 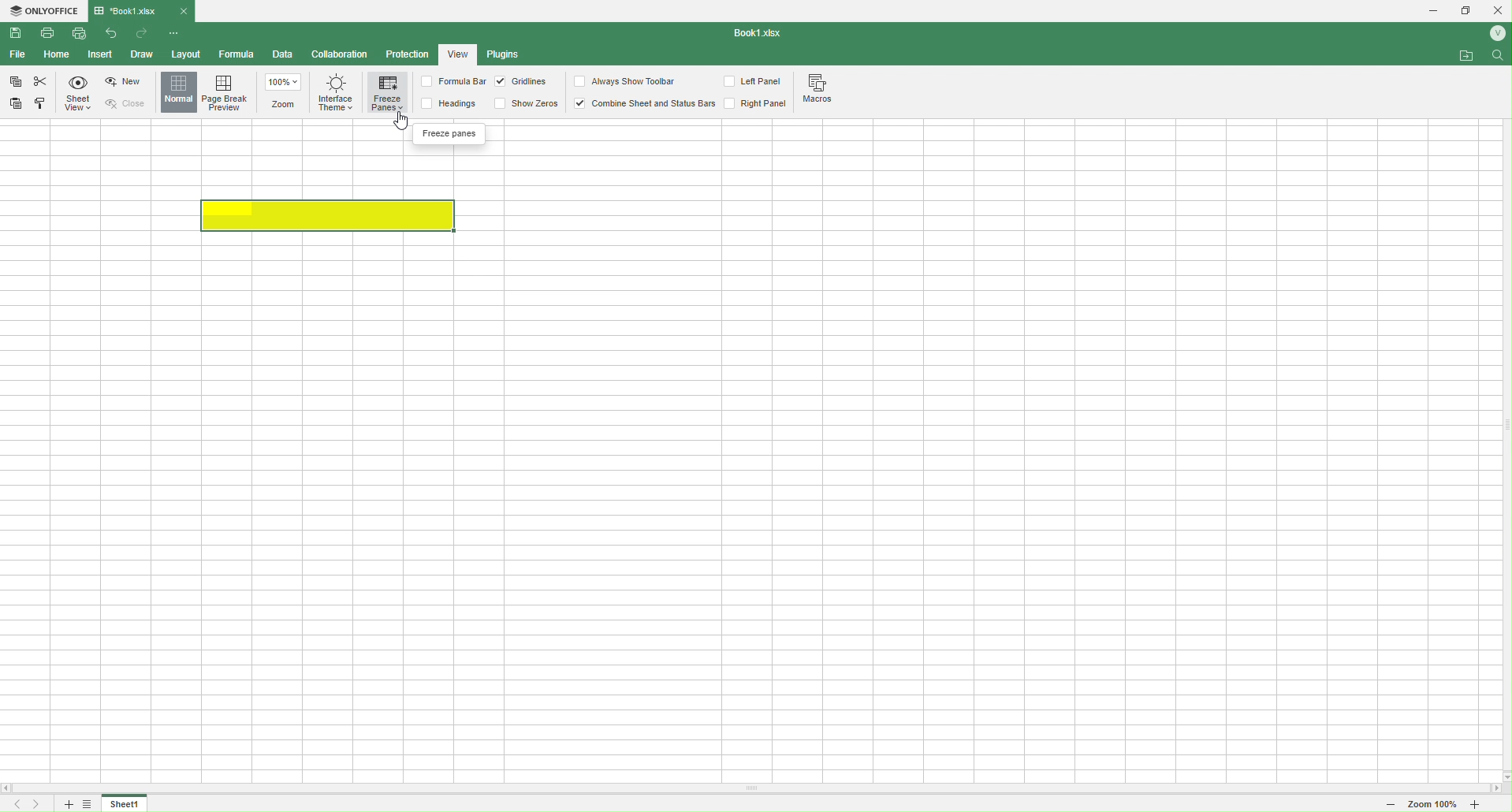 What do you see at coordinates (14, 805) in the screenshot?
I see `Scroll to the first sheet` at bounding box center [14, 805].